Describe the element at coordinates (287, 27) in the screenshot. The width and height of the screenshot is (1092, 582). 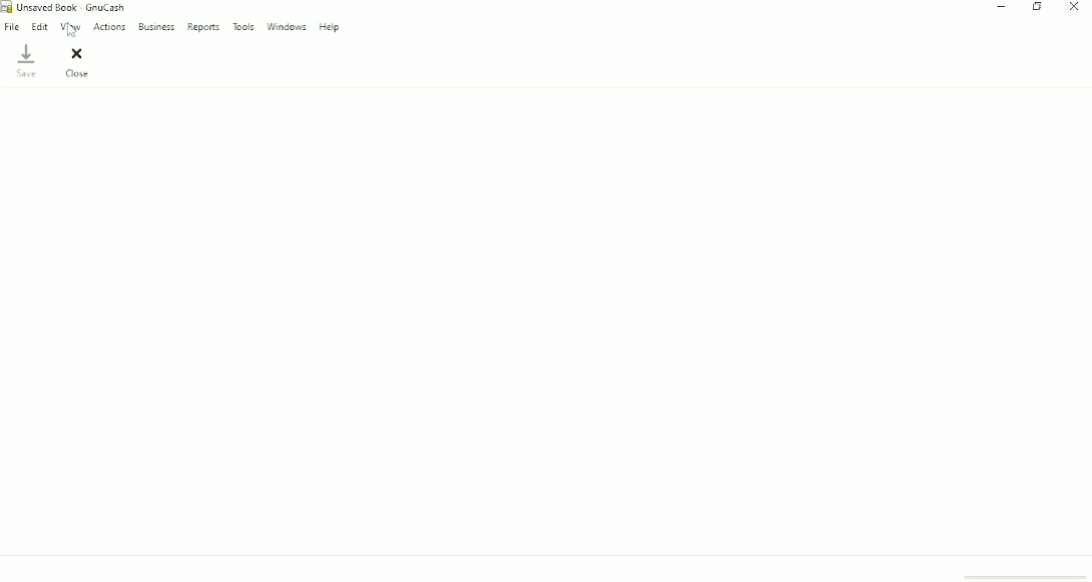
I see `Windows` at that location.